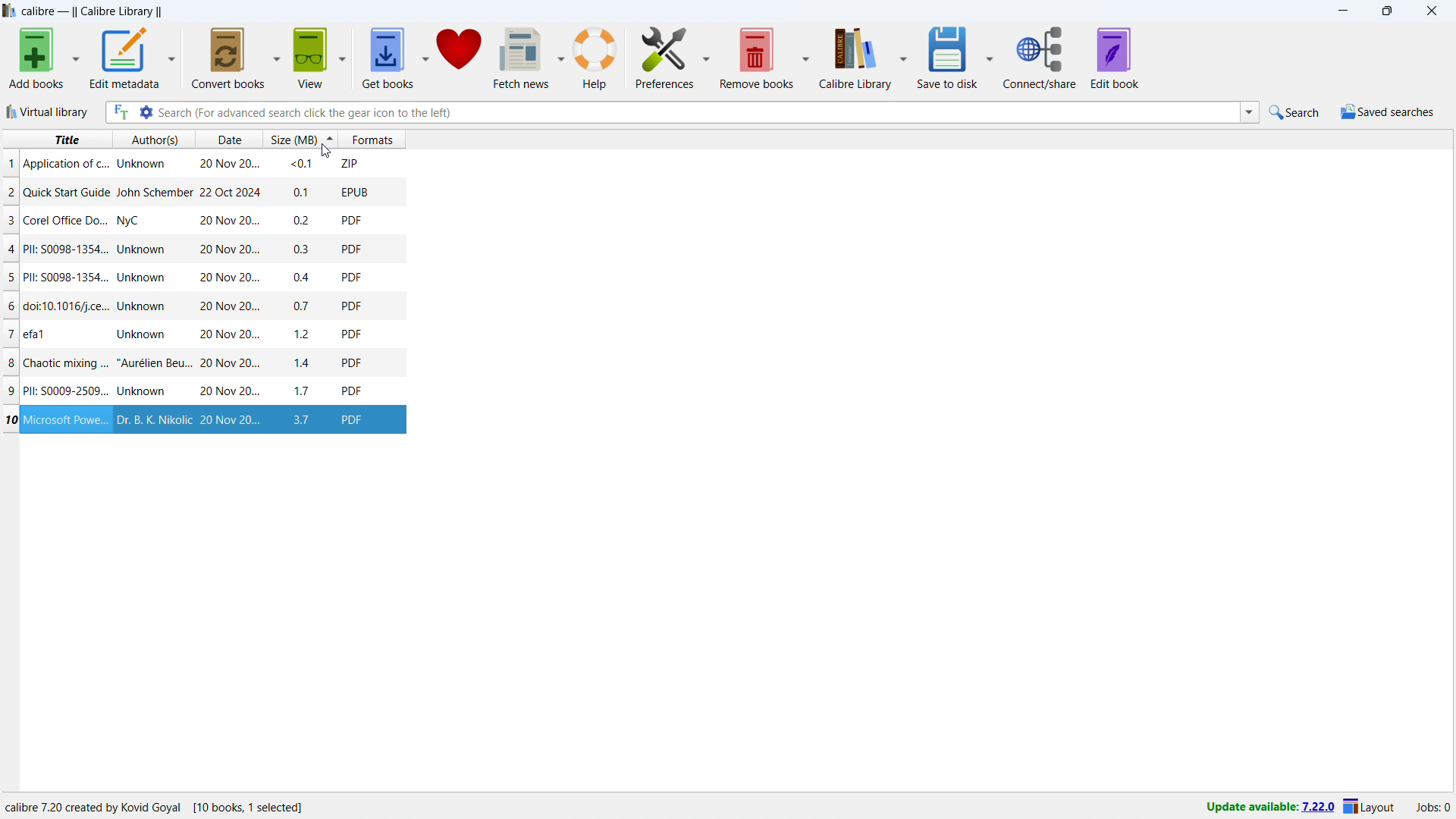  Describe the element at coordinates (1370, 806) in the screenshot. I see `Layout` at that location.